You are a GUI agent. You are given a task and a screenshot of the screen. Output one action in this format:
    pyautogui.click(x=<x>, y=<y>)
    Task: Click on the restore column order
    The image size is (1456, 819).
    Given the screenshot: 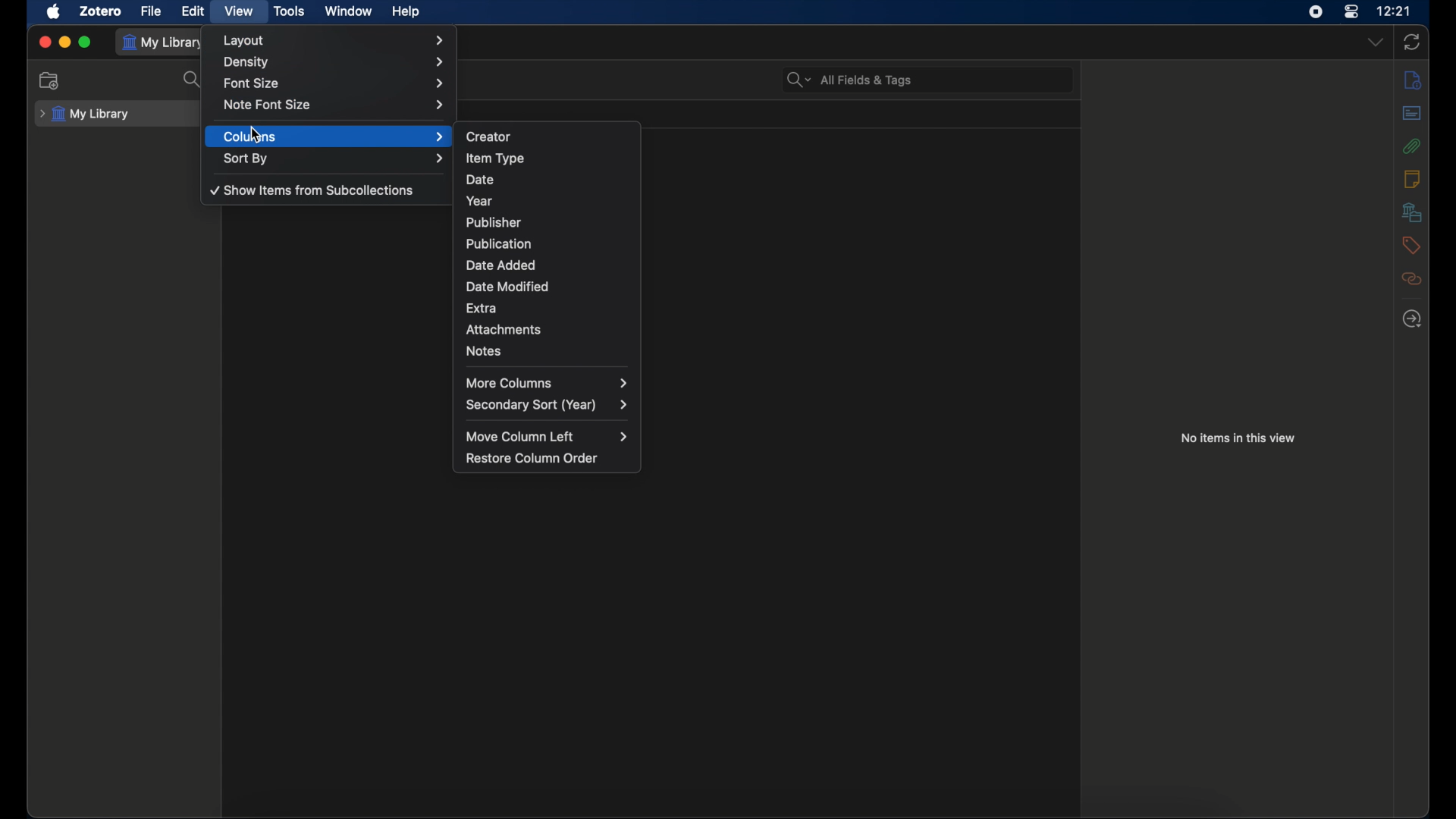 What is the action you would take?
    pyautogui.click(x=533, y=458)
    